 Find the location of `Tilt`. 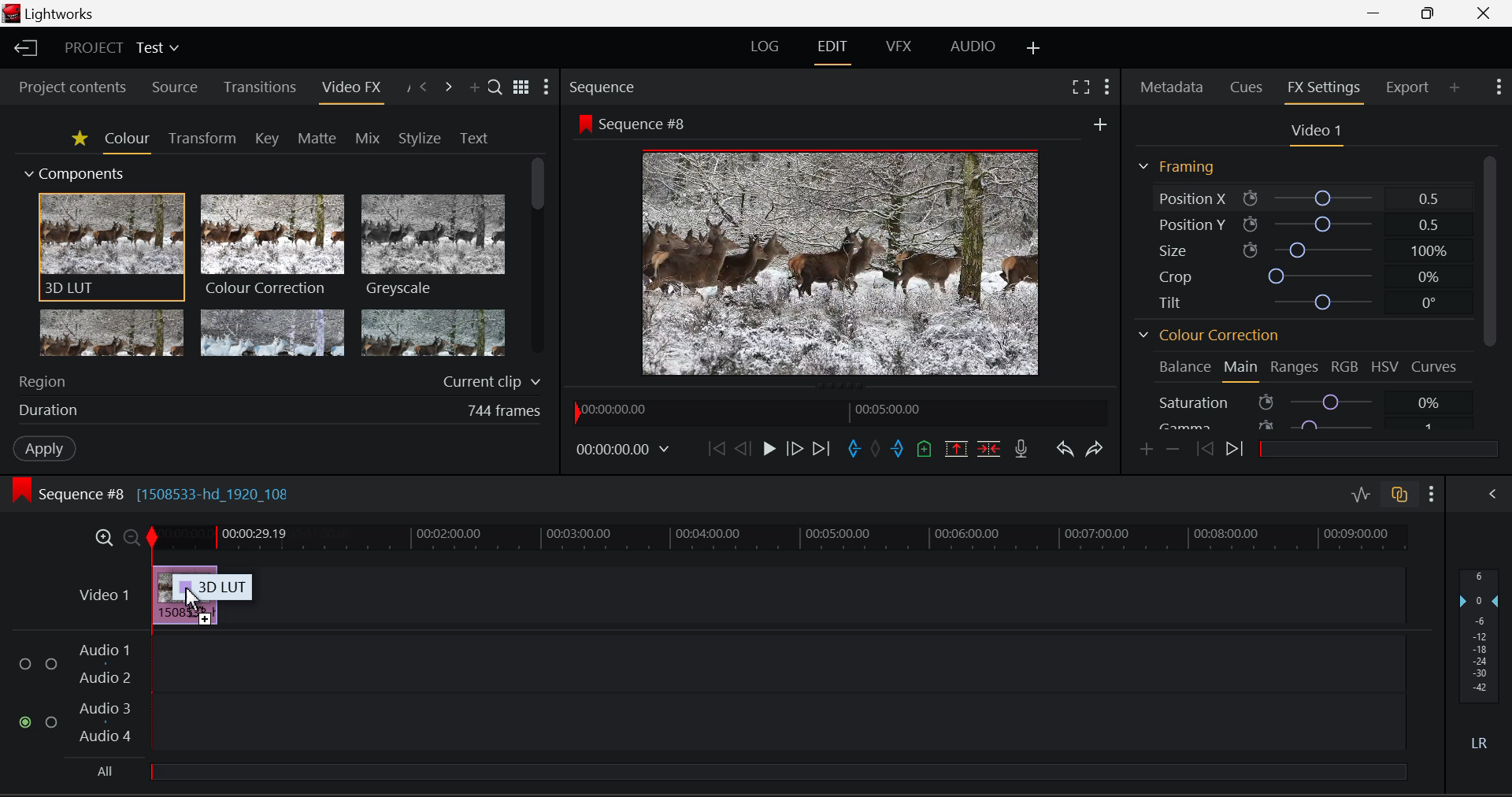

Tilt is located at coordinates (1309, 299).